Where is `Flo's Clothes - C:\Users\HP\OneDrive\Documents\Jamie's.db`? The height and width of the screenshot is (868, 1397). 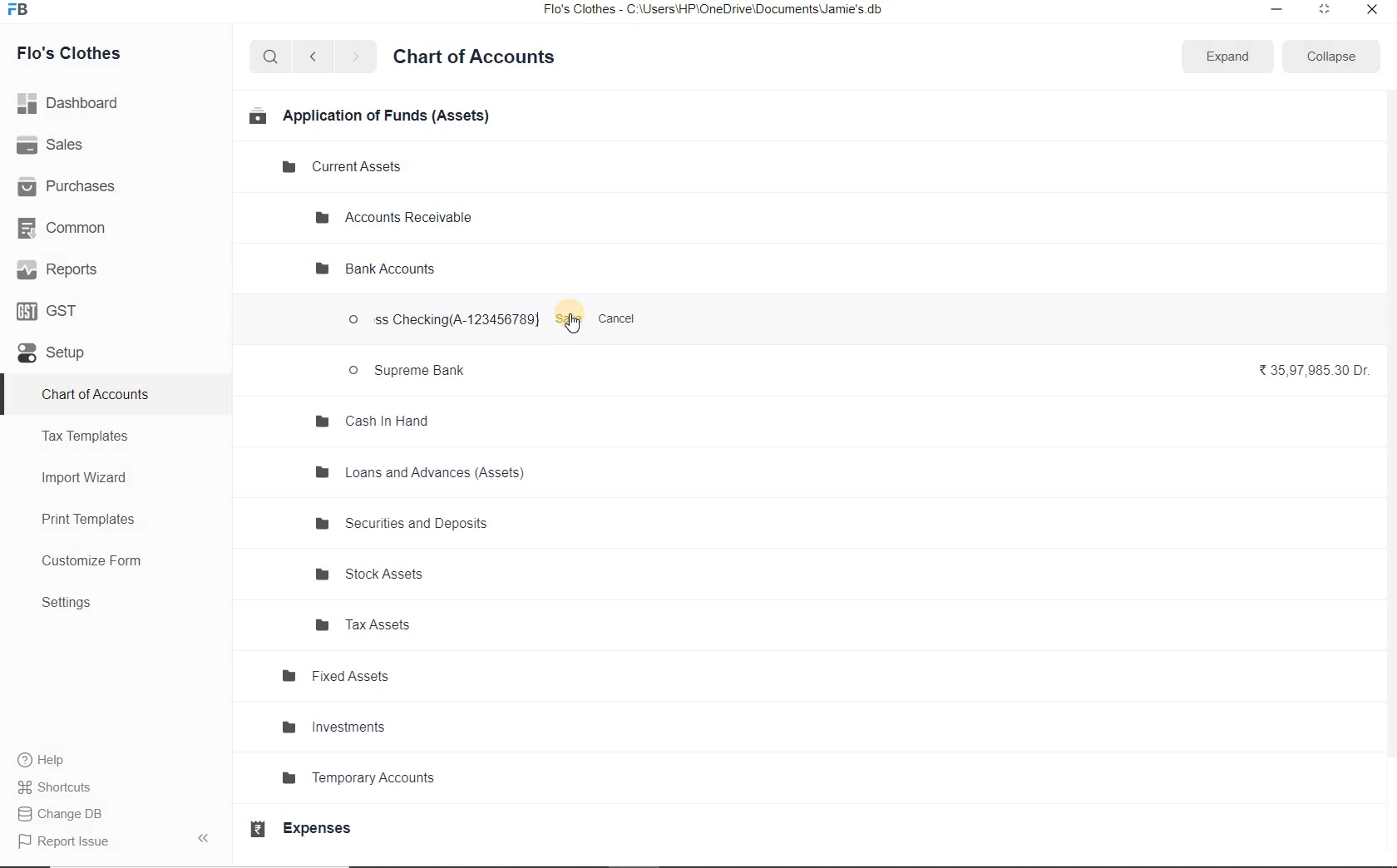 Flo's Clothes - C:\Users\HP\OneDrive\Documents\Jamie's.db is located at coordinates (714, 12).